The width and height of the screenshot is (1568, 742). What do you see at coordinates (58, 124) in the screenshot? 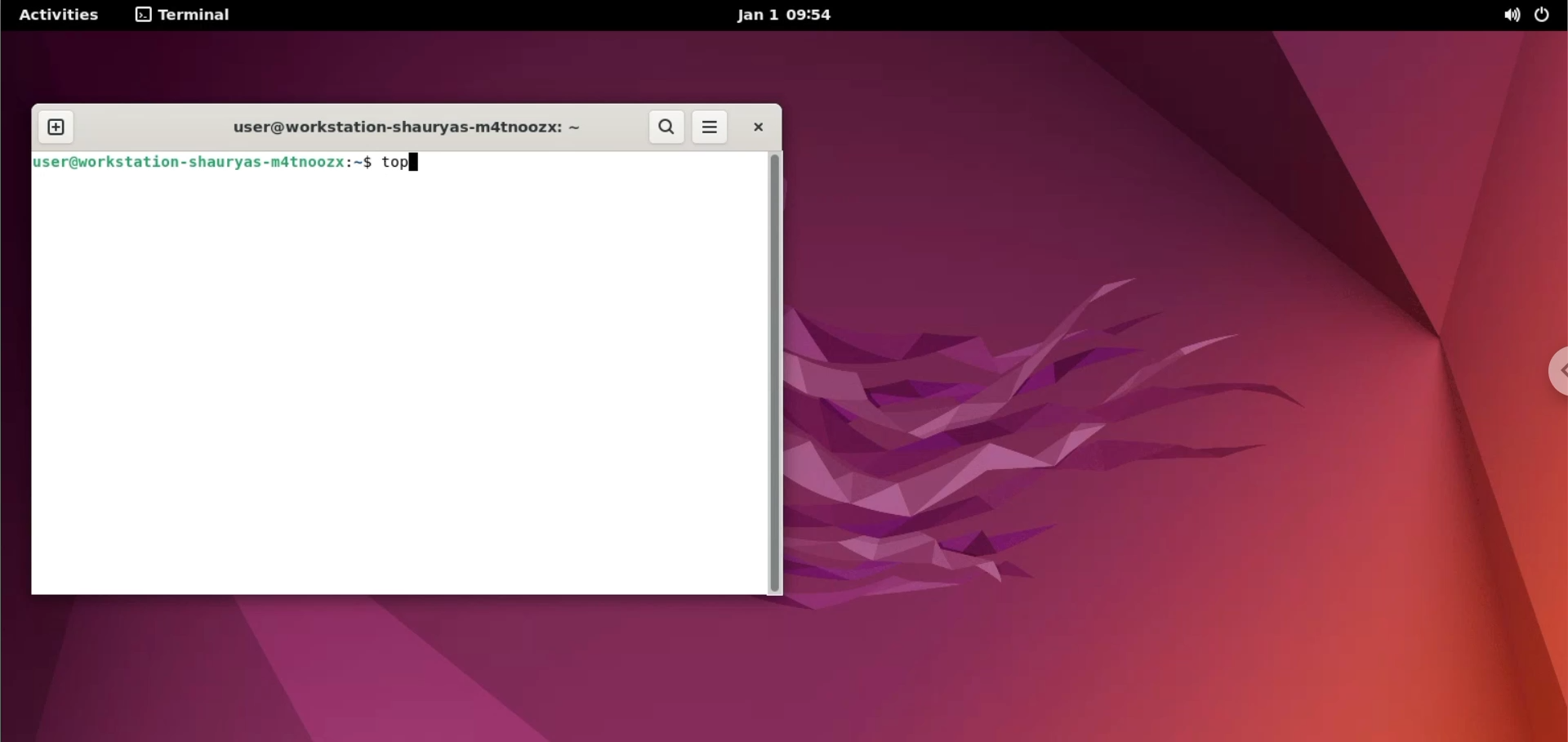
I see `new tab` at bounding box center [58, 124].